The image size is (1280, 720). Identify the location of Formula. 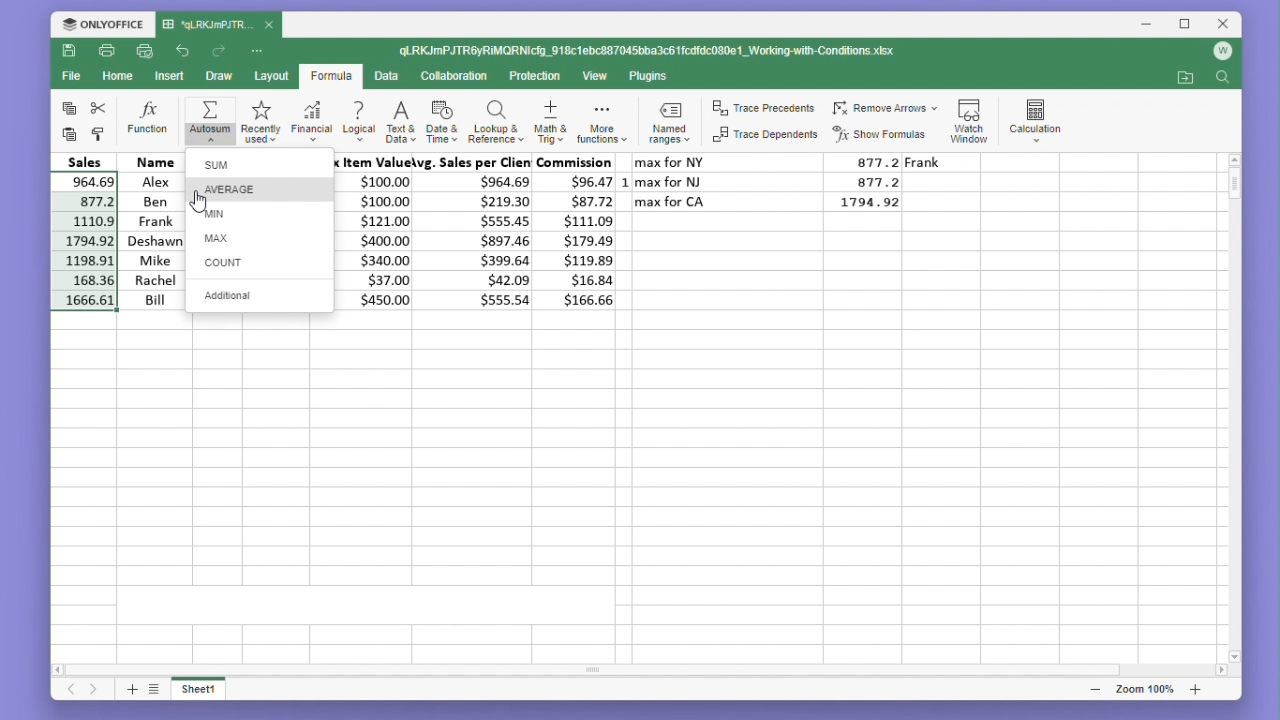
(331, 77).